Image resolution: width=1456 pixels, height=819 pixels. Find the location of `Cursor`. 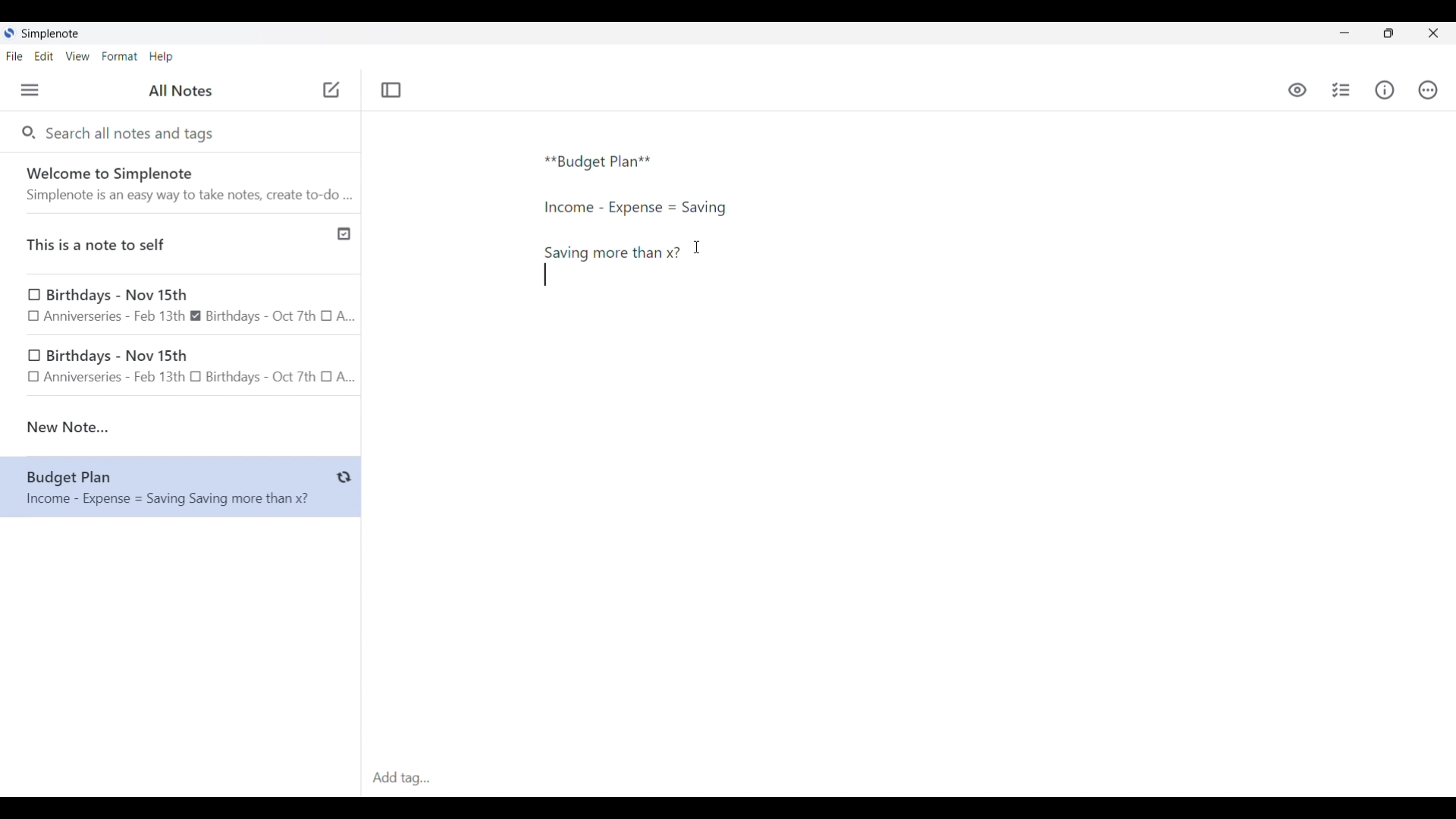

Cursor is located at coordinates (697, 247).